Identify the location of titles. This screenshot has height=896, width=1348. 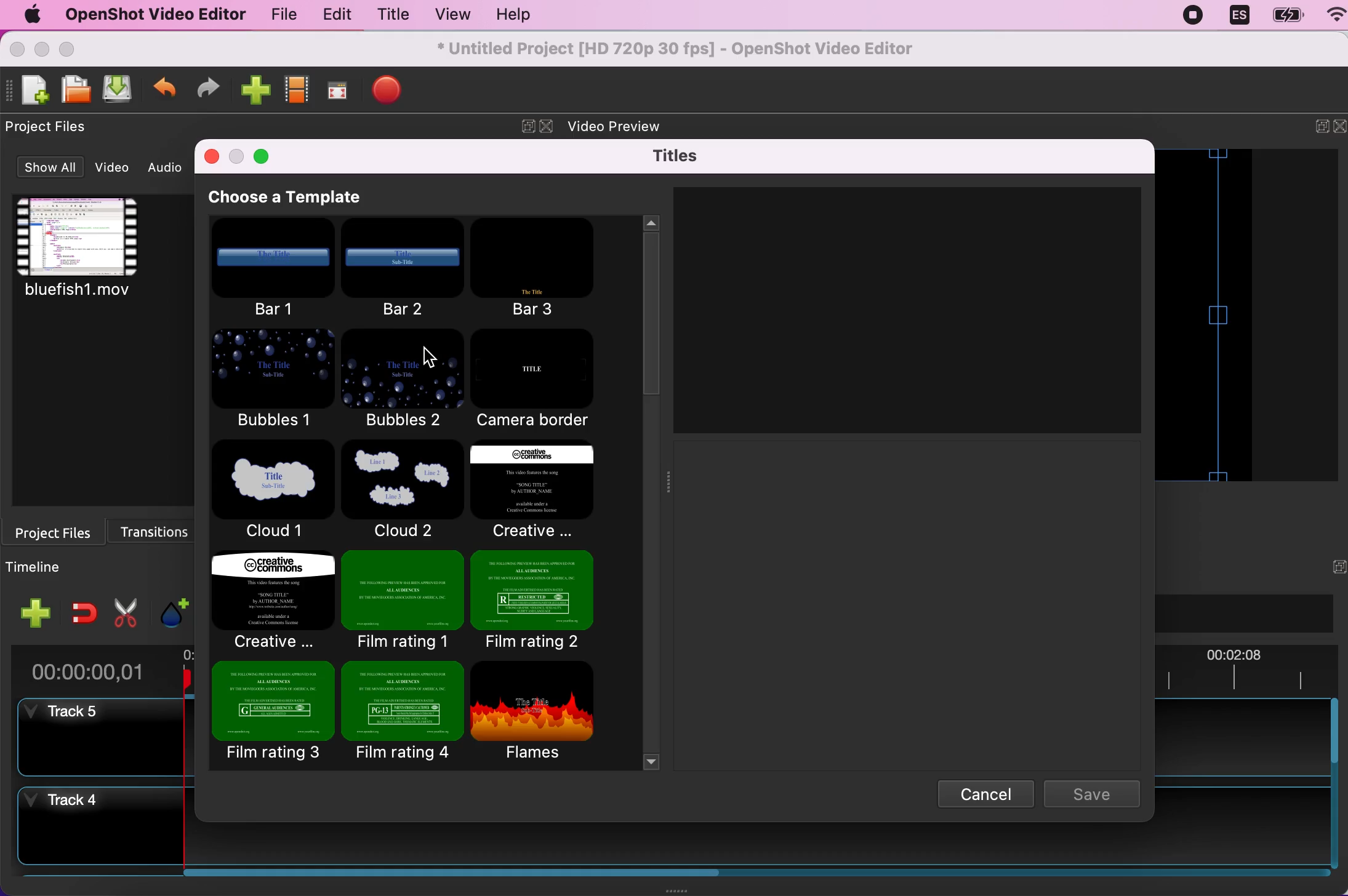
(681, 156).